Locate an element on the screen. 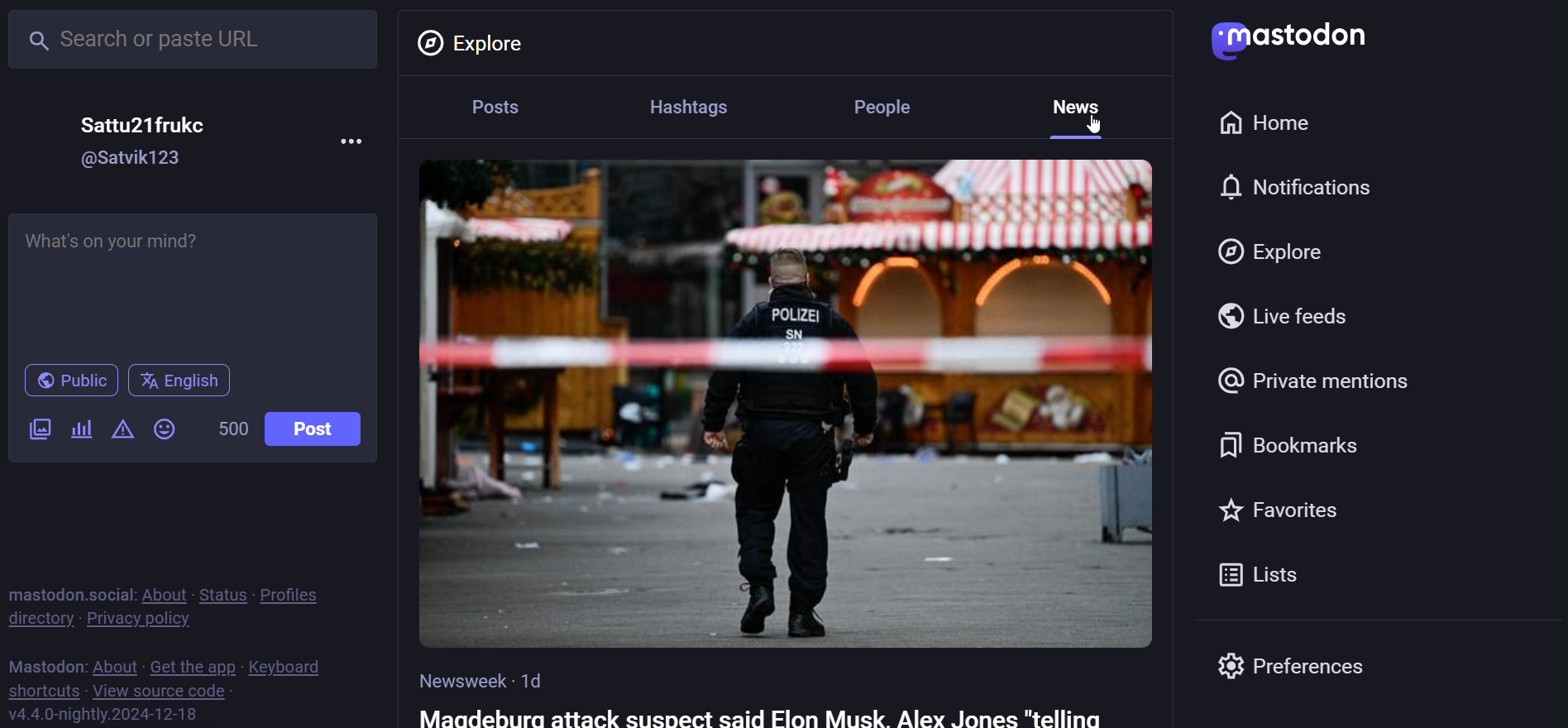 The width and height of the screenshot is (1568, 728). shortcut is located at coordinates (45, 692).